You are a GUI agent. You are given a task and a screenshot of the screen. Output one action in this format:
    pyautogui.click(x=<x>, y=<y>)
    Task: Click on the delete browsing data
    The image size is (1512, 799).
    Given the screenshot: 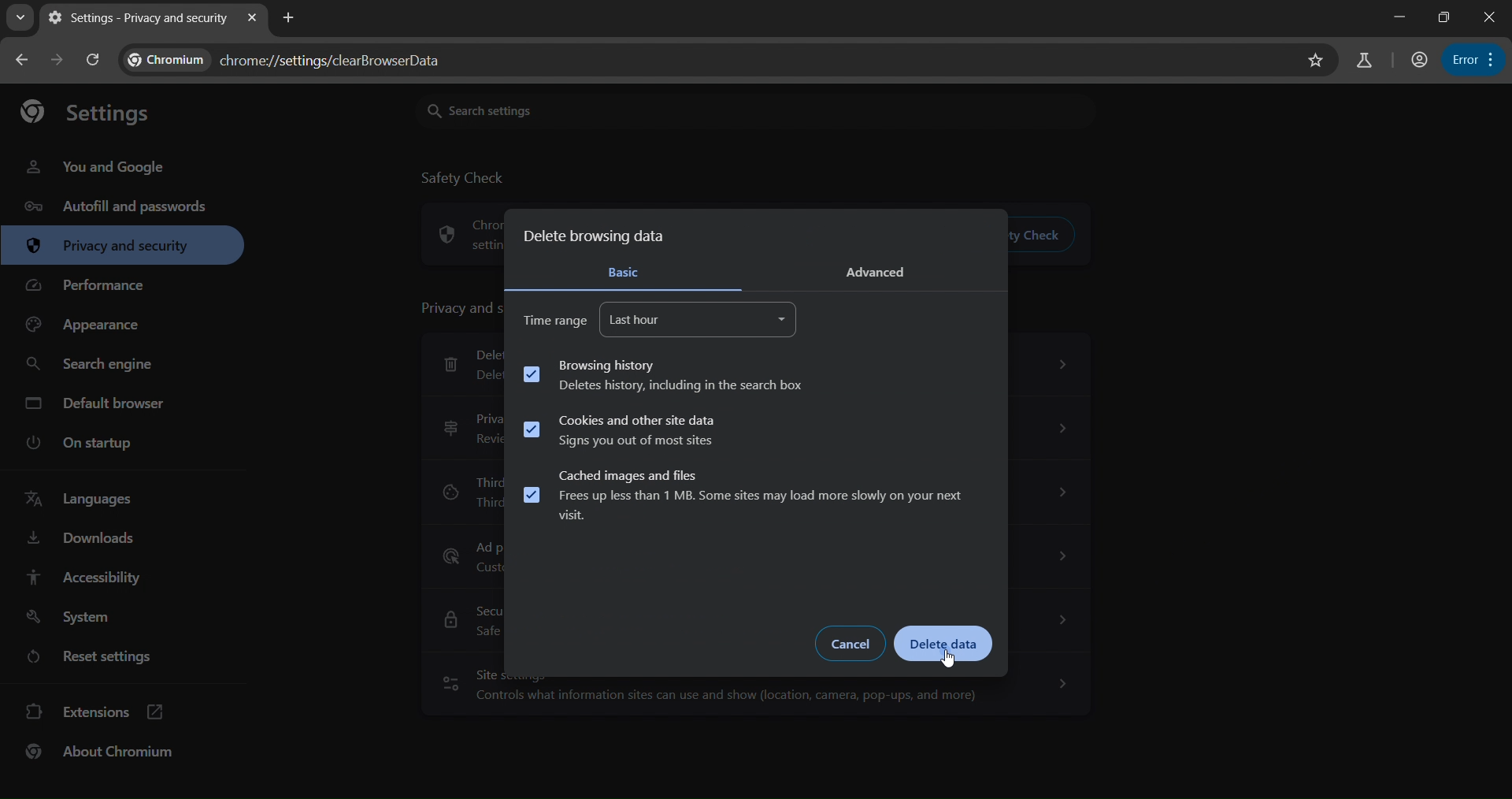 What is the action you would take?
    pyautogui.click(x=599, y=233)
    